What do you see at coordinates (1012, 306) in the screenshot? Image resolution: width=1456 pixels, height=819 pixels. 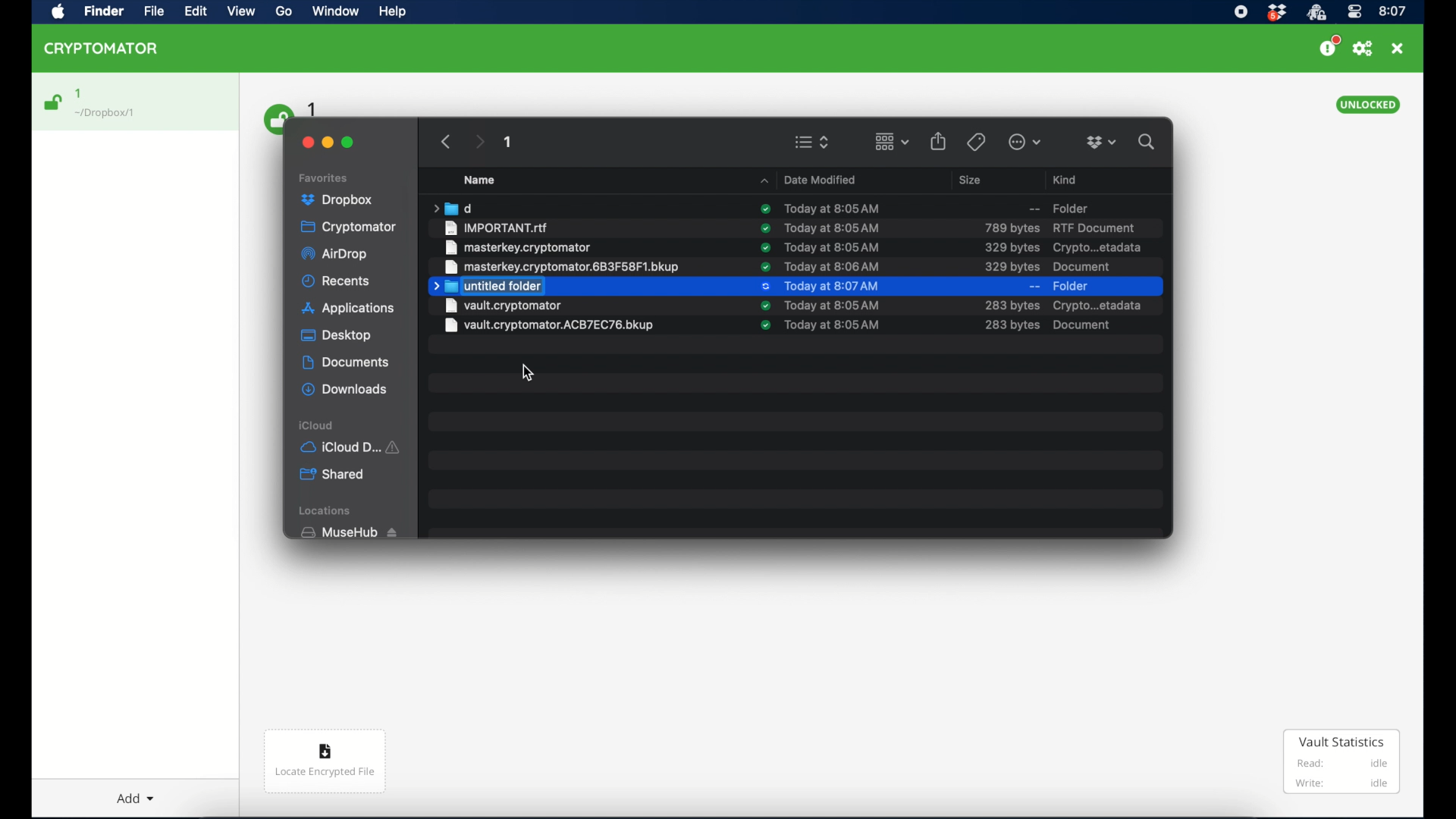 I see `ize` at bounding box center [1012, 306].